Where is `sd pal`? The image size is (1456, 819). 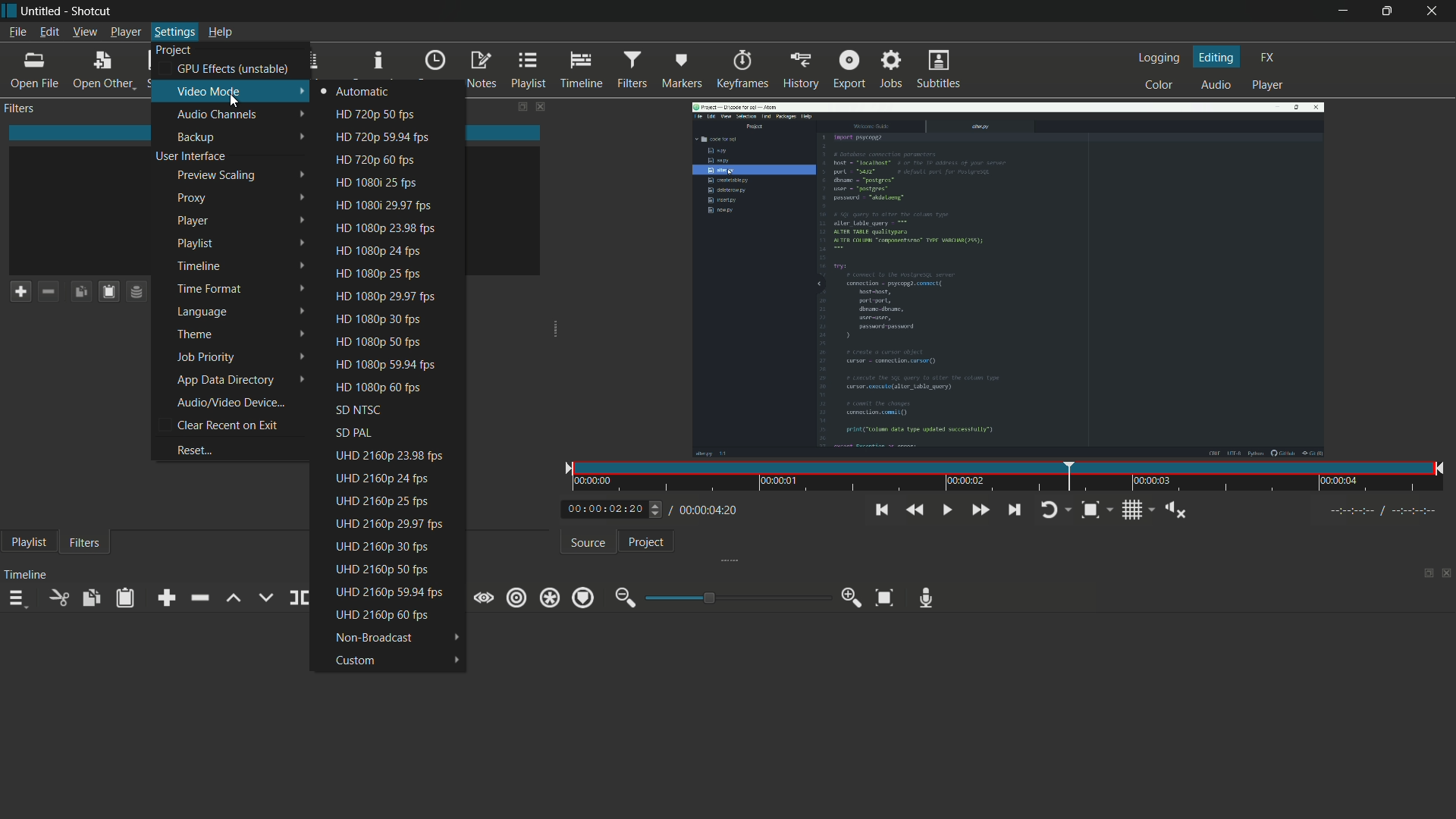
sd pal is located at coordinates (388, 433).